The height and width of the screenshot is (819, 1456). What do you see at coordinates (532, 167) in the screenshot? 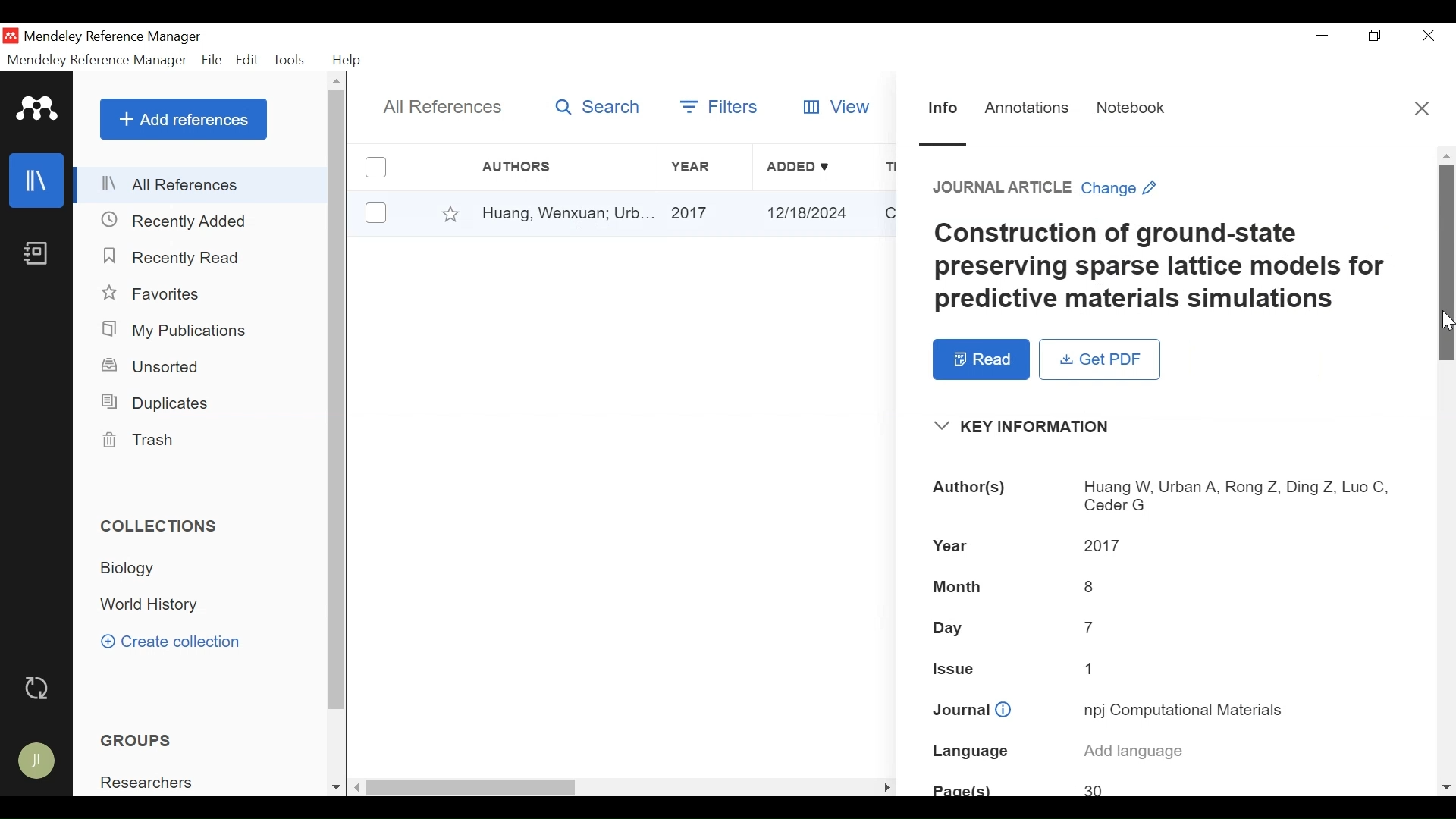
I see `Authors` at bounding box center [532, 167].